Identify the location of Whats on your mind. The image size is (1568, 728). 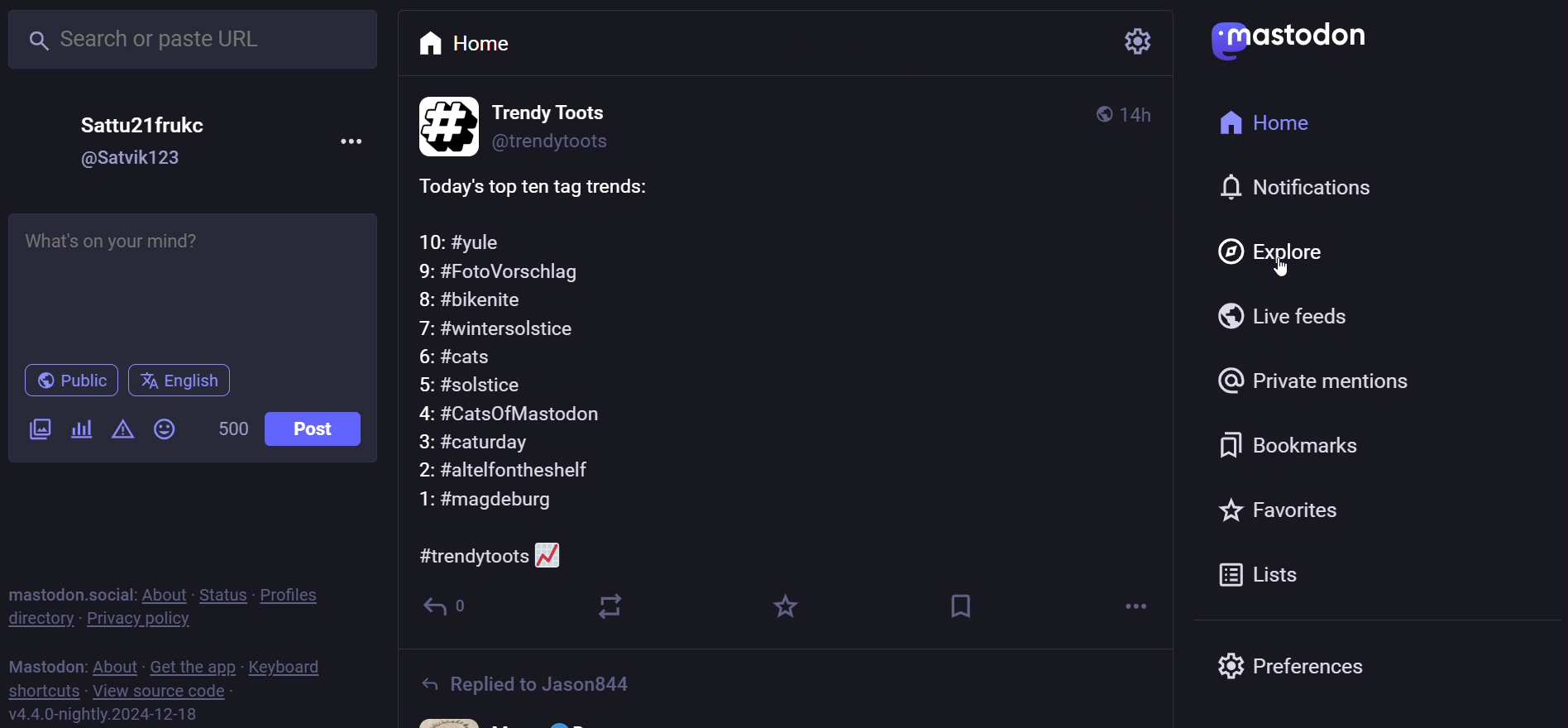
(198, 284).